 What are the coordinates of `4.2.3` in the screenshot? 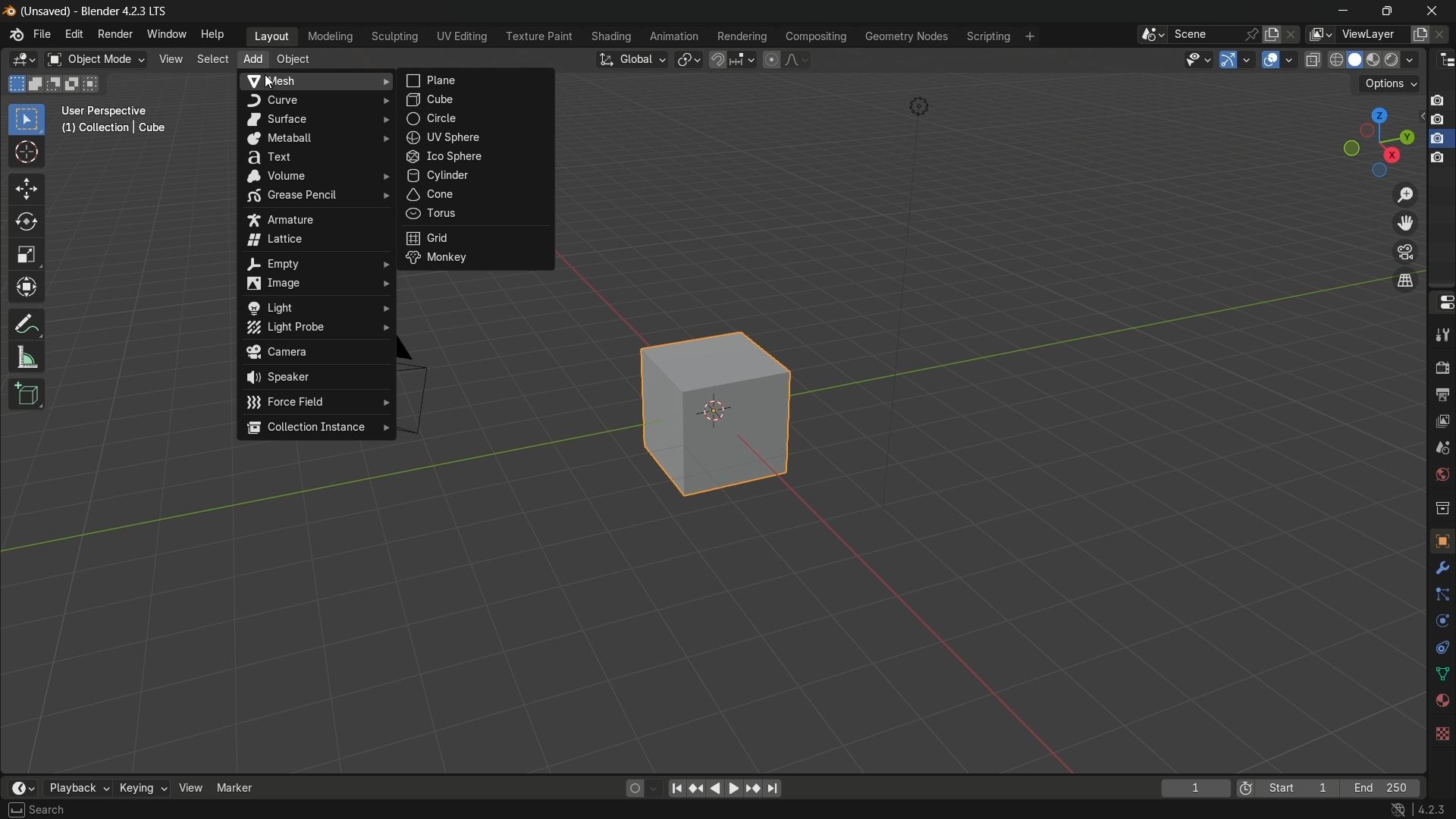 It's located at (1431, 810).